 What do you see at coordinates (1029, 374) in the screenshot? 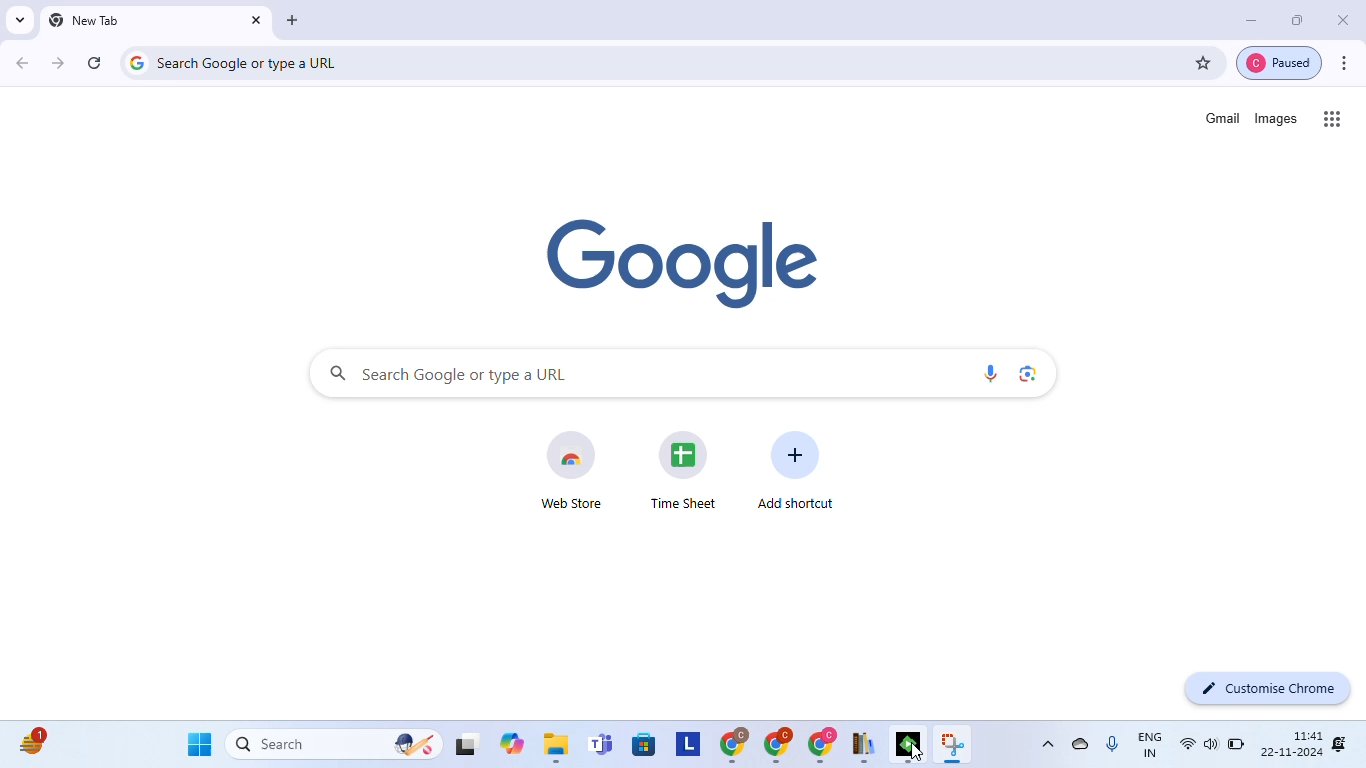
I see `search by image` at bounding box center [1029, 374].